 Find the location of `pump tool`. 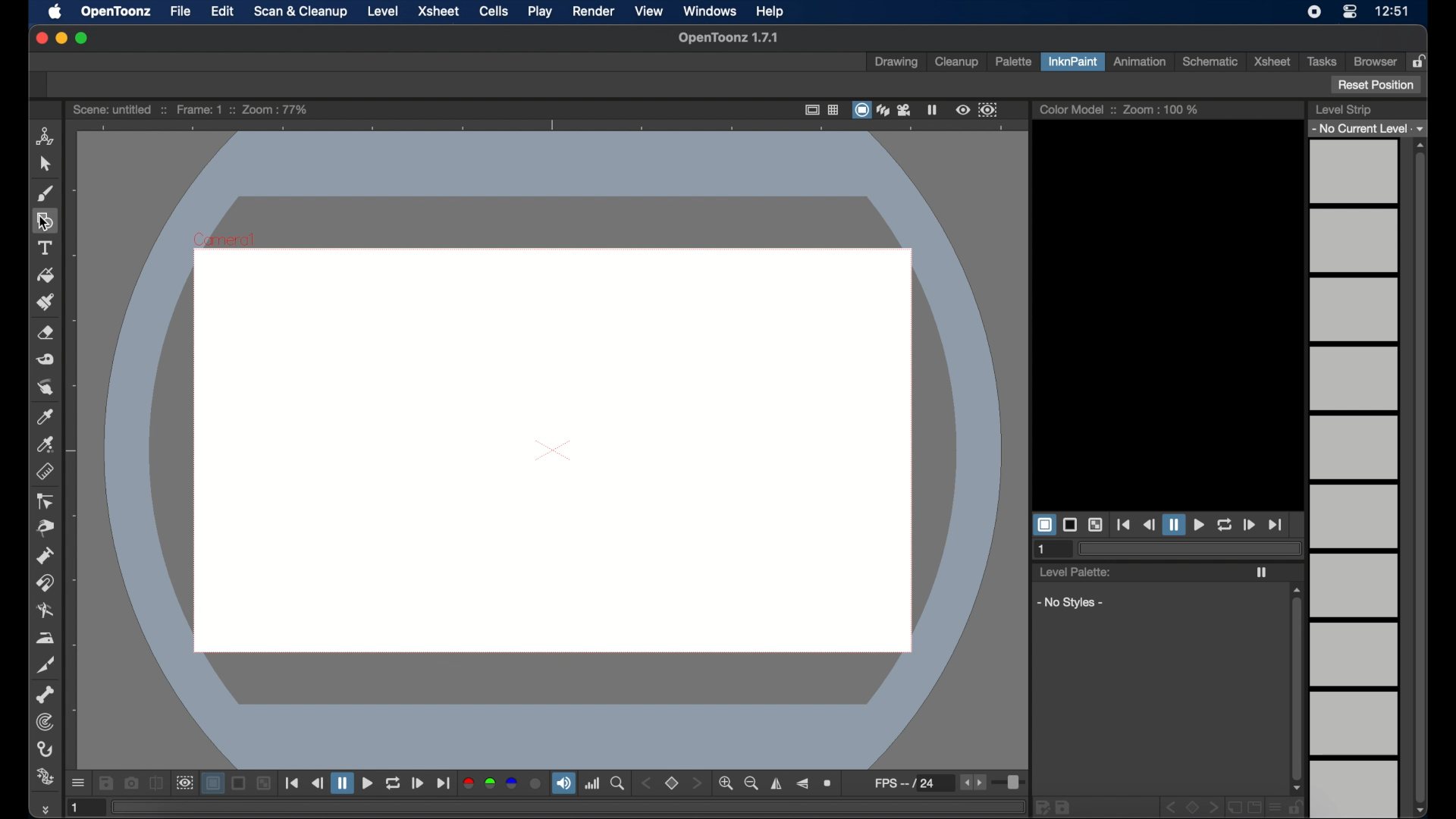

pump tool is located at coordinates (45, 556).